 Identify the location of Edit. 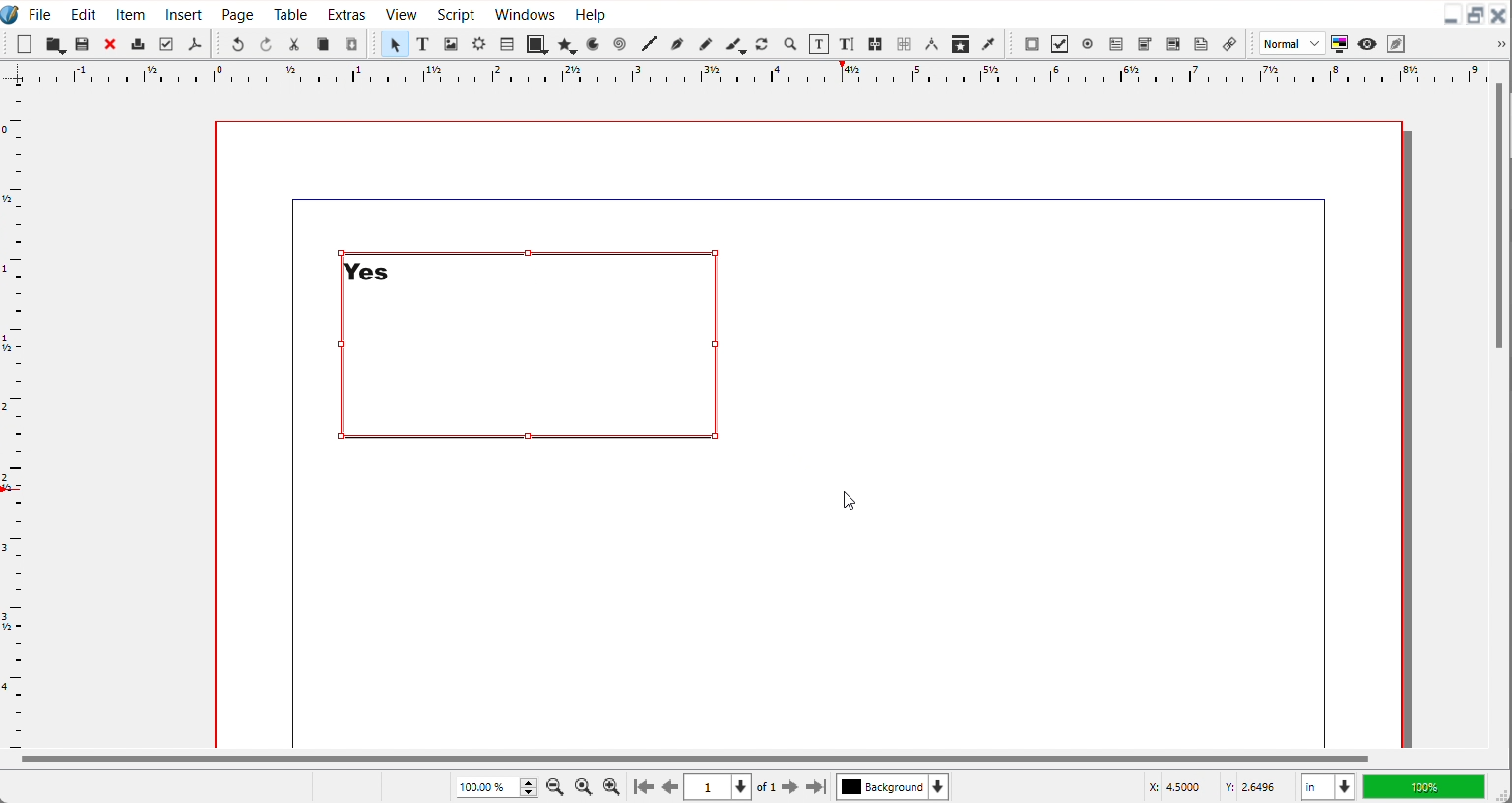
(81, 13).